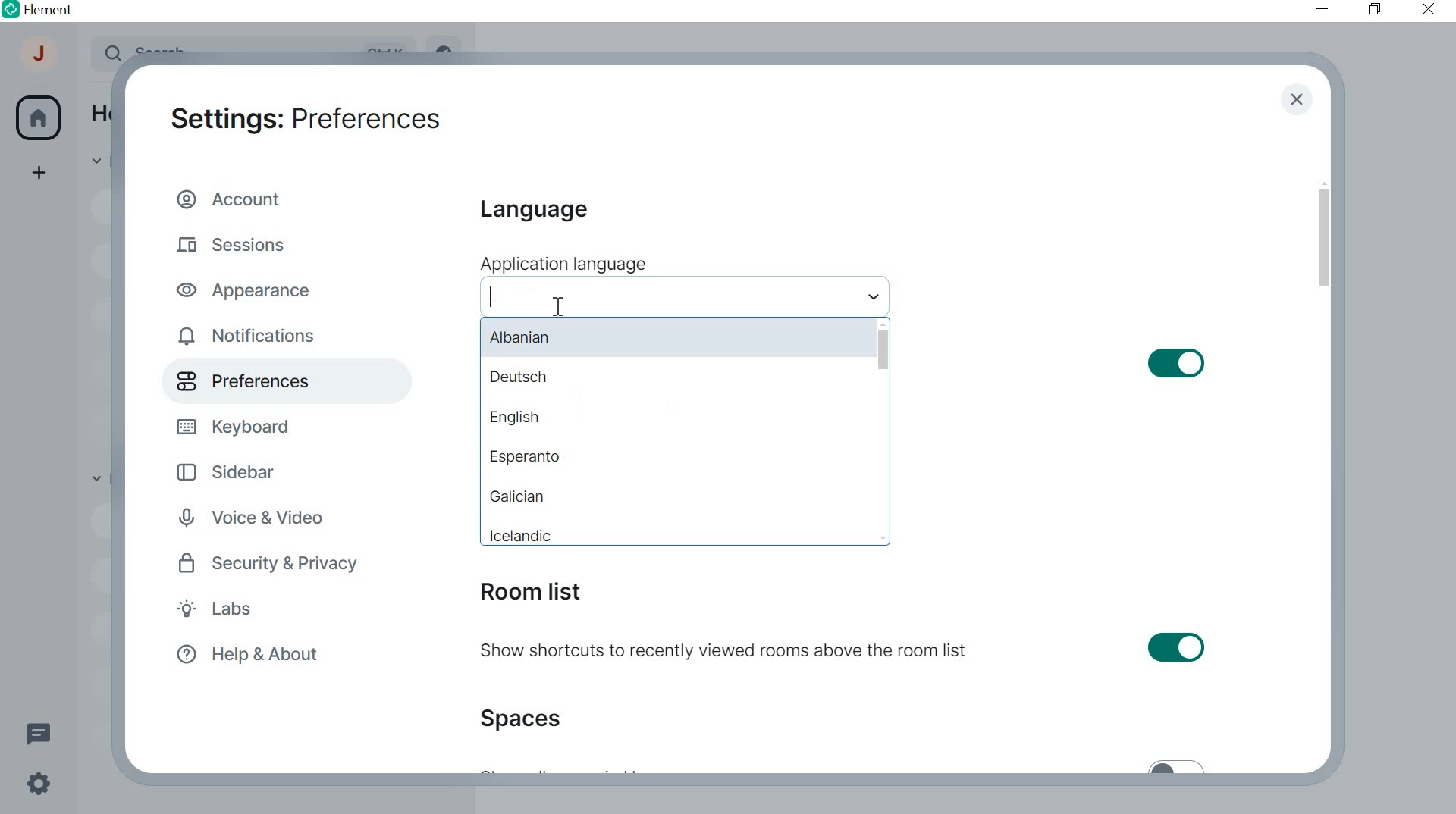 The height and width of the screenshot is (814, 1456). Describe the element at coordinates (677, 530) in the screenshot. I see `ICELANDC` at that location.